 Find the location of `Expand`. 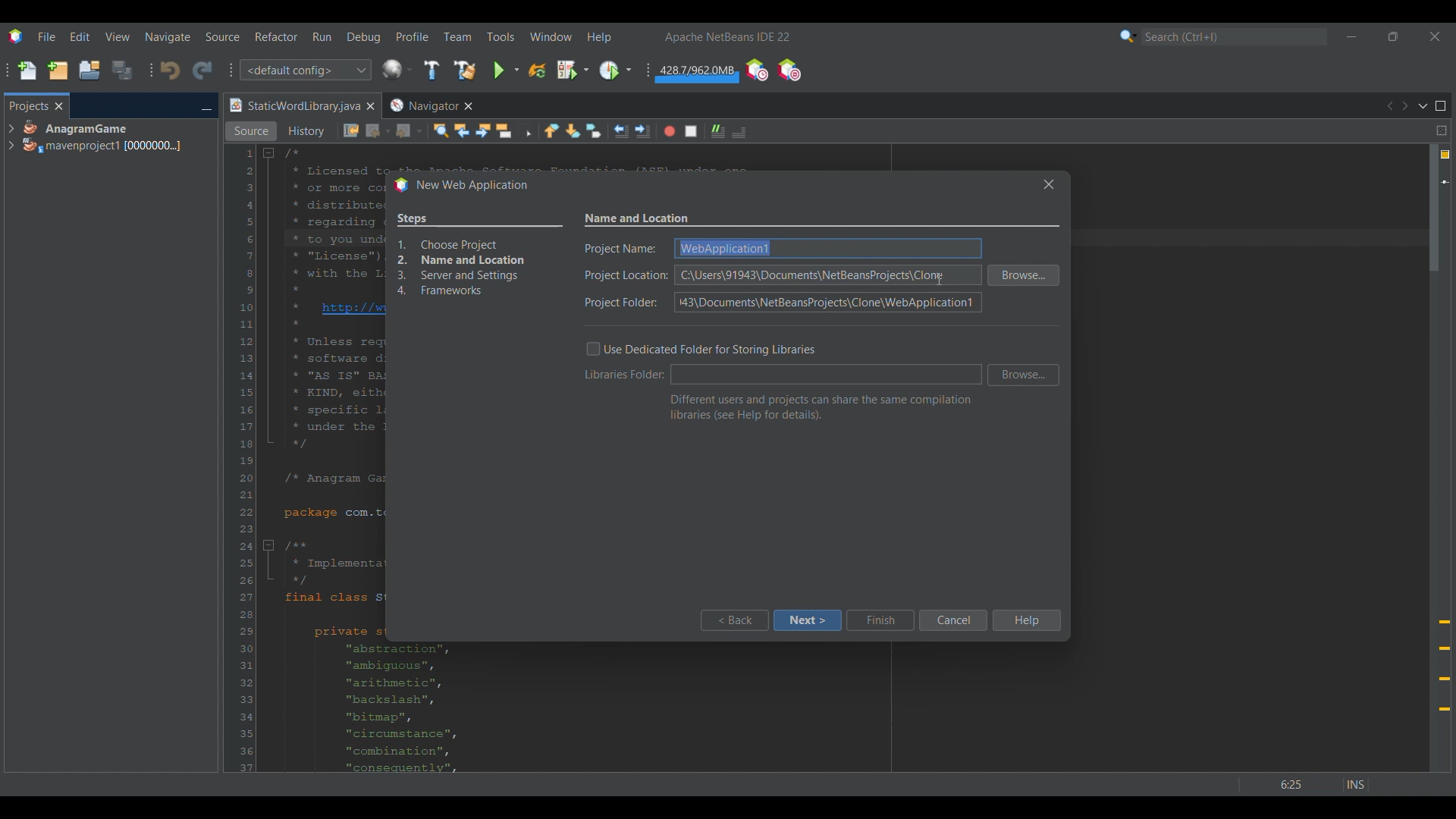

Expand is located at coordinates (11, 137).